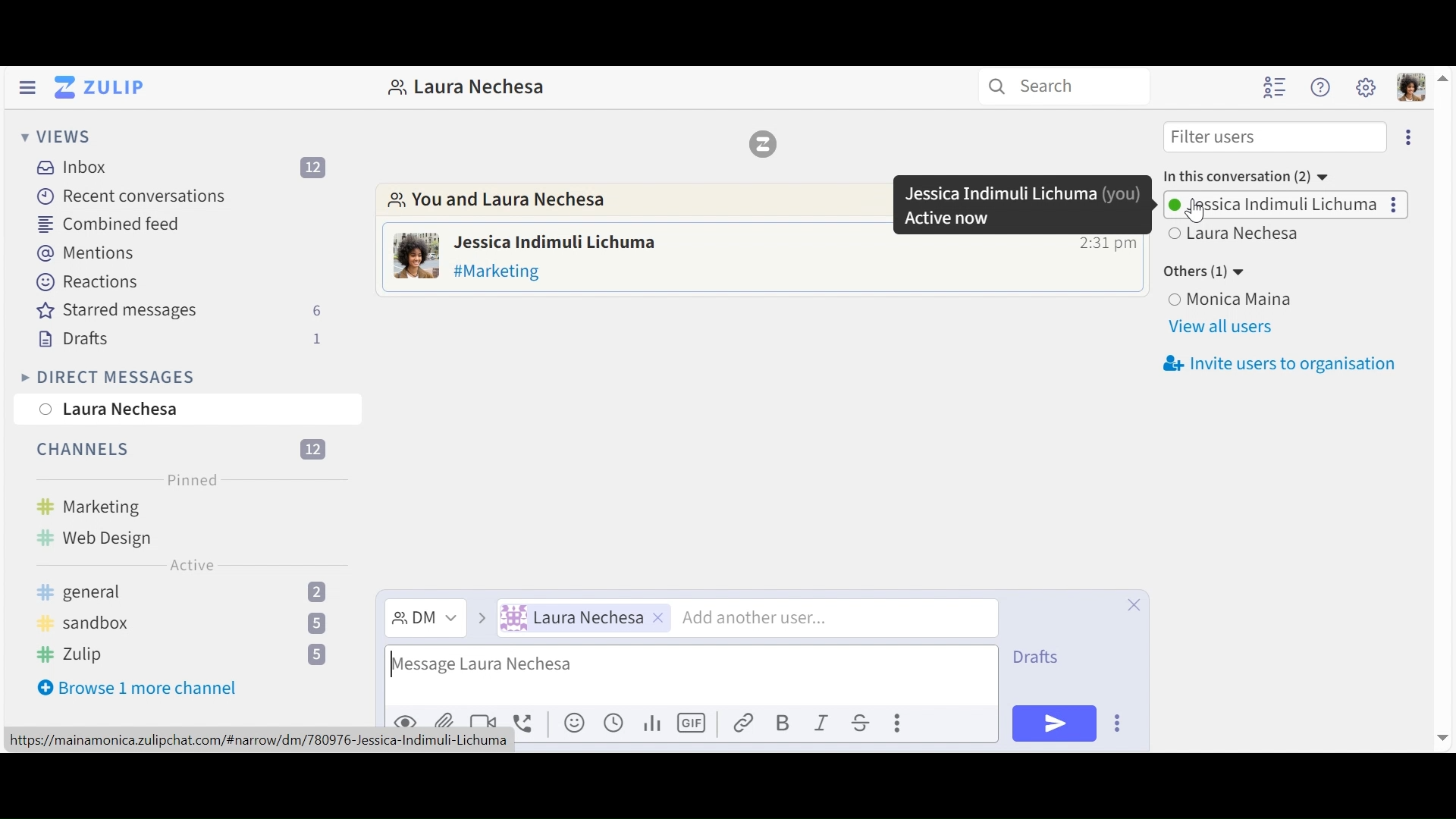 Image resolution: width=1456 pixels, height=819 pixels. Describe the element at coordinates (190, 592) in the screenshot. I see `general` at that location.